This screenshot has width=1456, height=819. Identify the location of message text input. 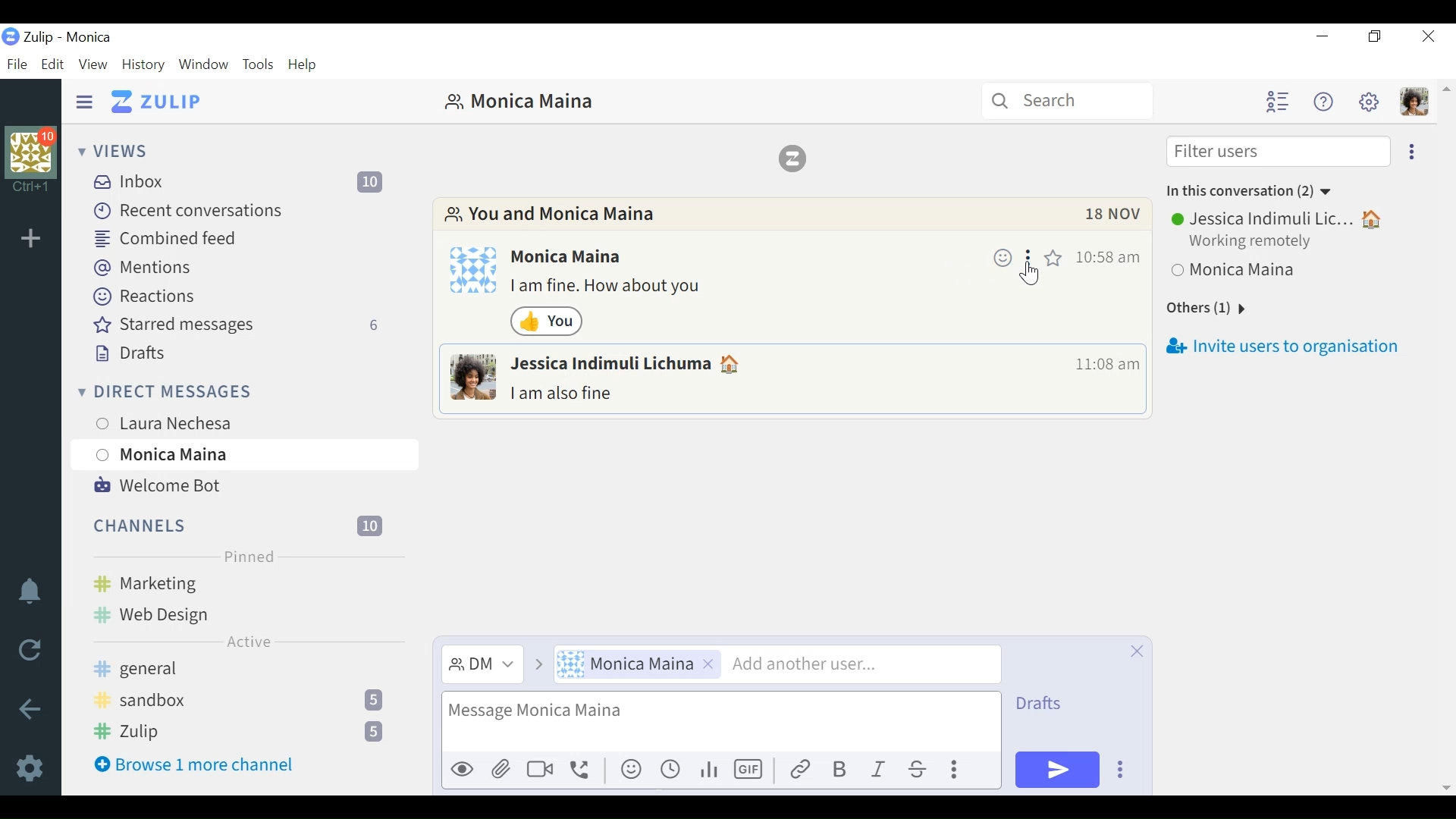
(717, 723).